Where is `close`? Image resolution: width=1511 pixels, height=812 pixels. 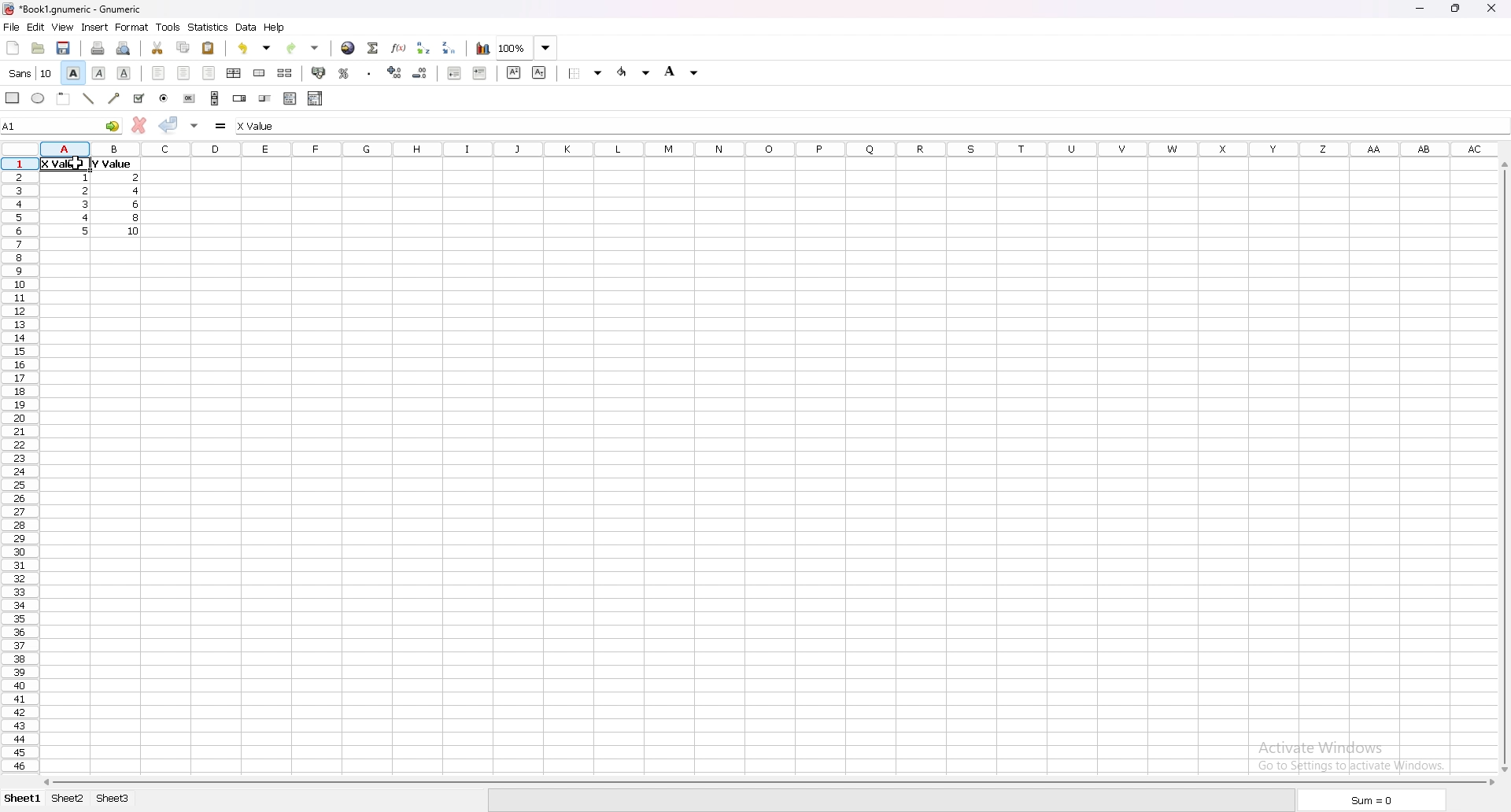
close is located at coordinates (1491, 8).